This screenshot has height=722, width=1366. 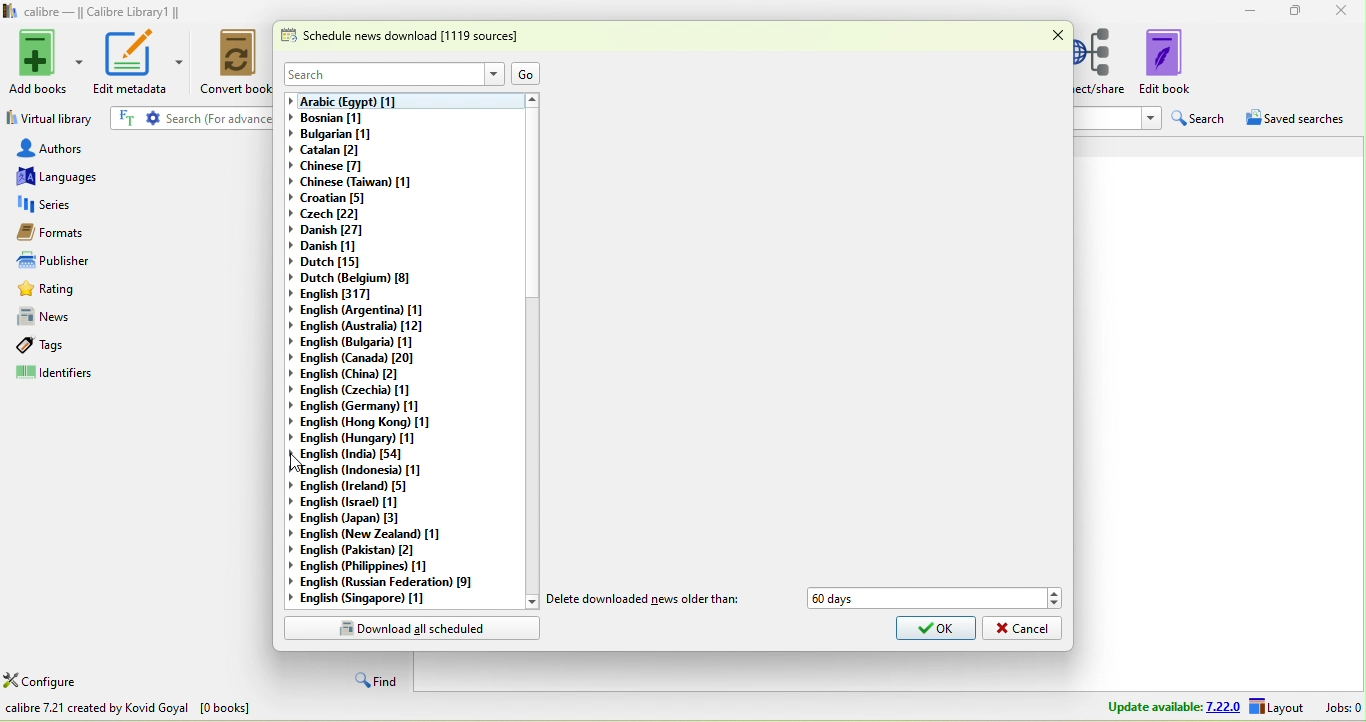 What do you see at coordinates (137, 260) in the screenshot?
I see `publishers` at bounding box center [137, 260].